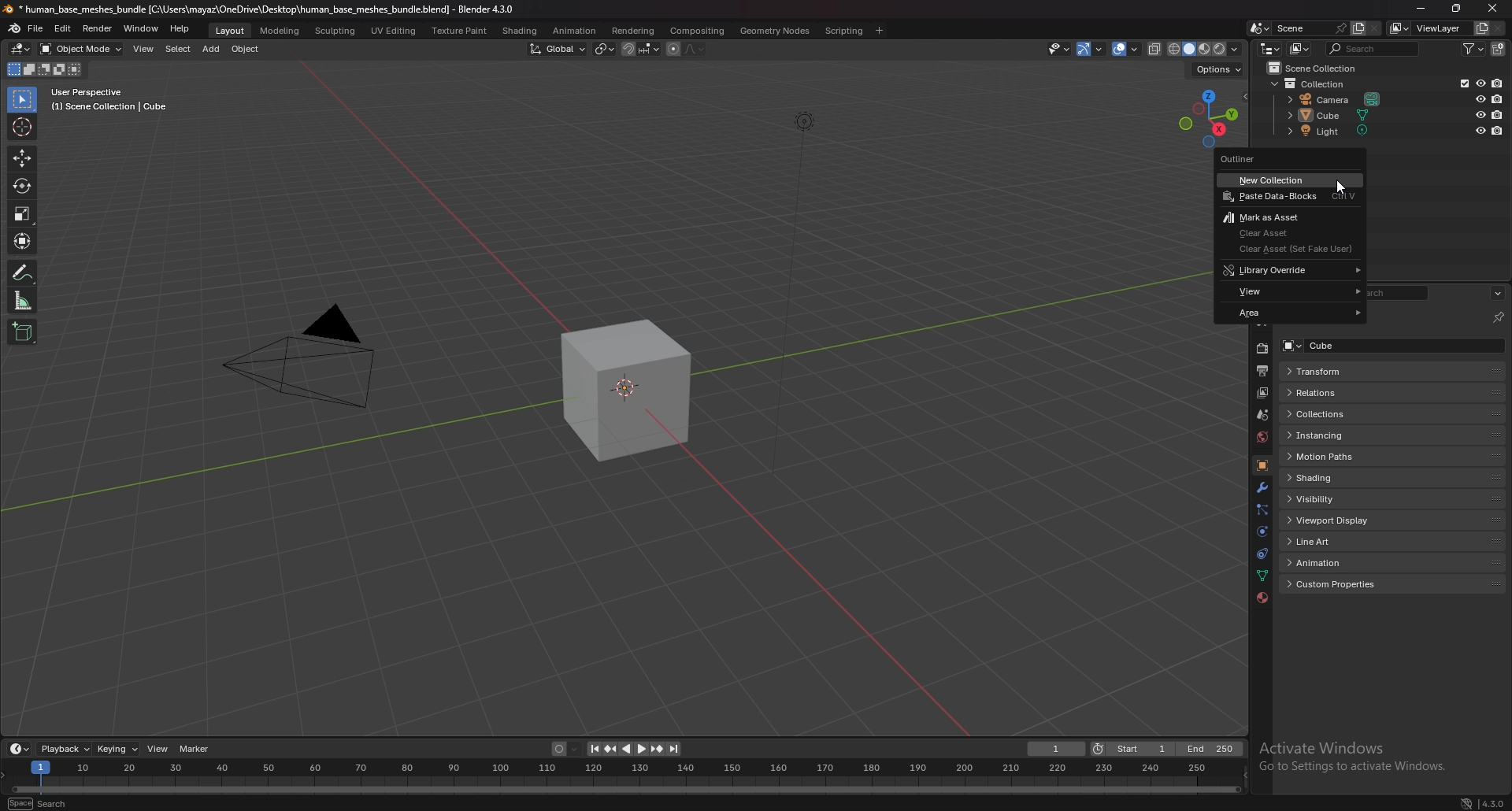 The height and width of the screenshot is (811, 1512). Describe the element at coordinates (593, 749) in the screenshot. I see `jump to endpoint` at that location.